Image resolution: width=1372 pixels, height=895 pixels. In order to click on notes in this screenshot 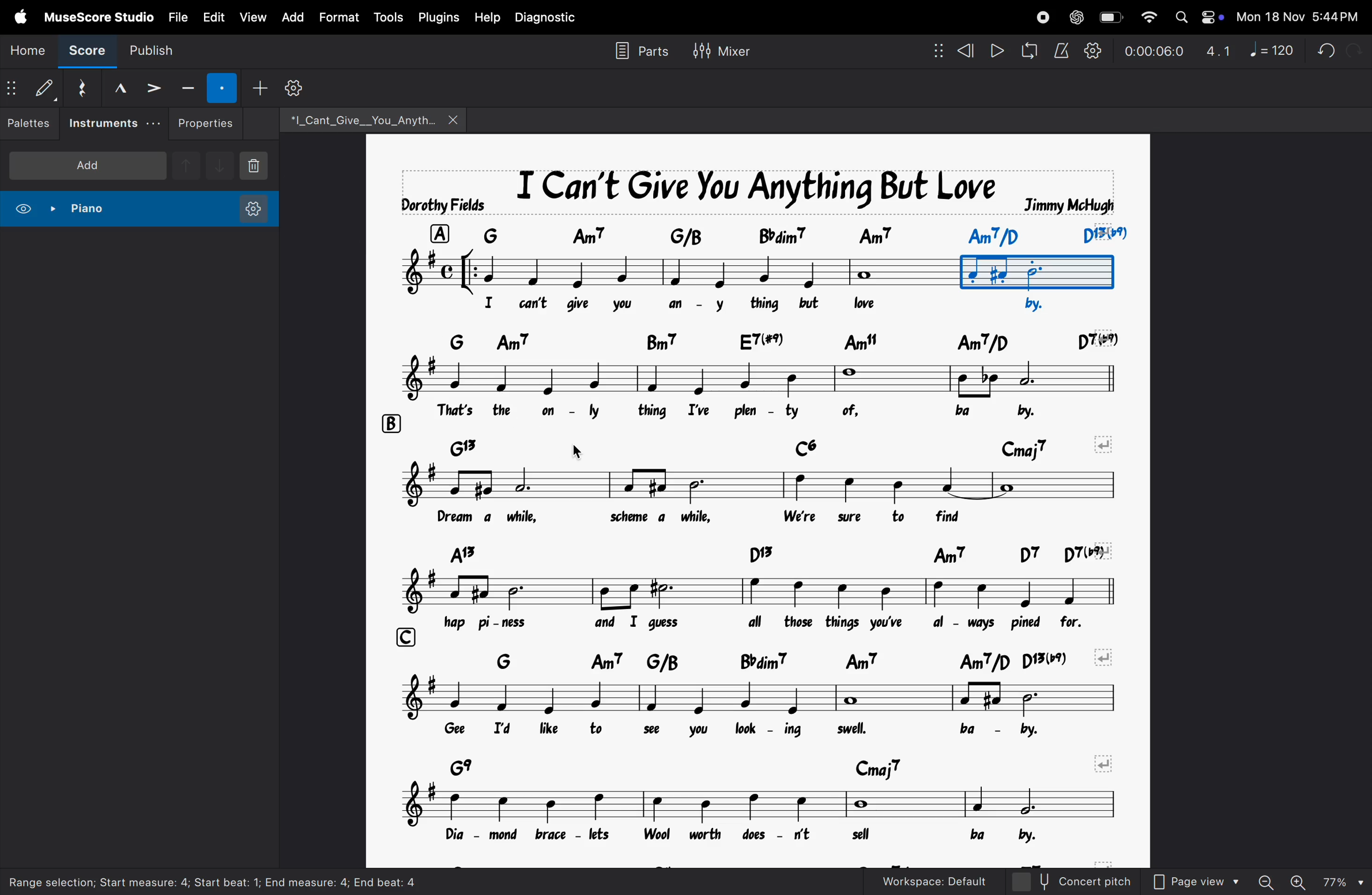, I will do `click(764, 516)`.